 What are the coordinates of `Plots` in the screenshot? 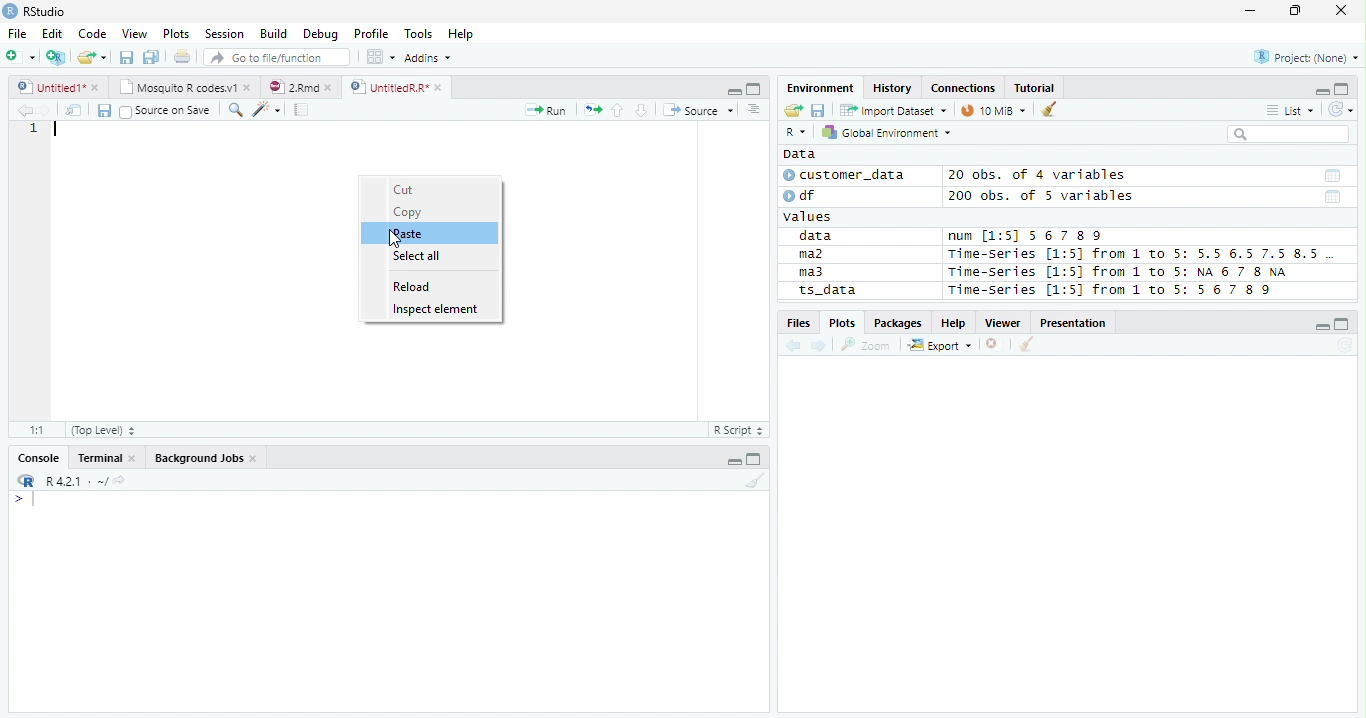 It's located at (176, 34).